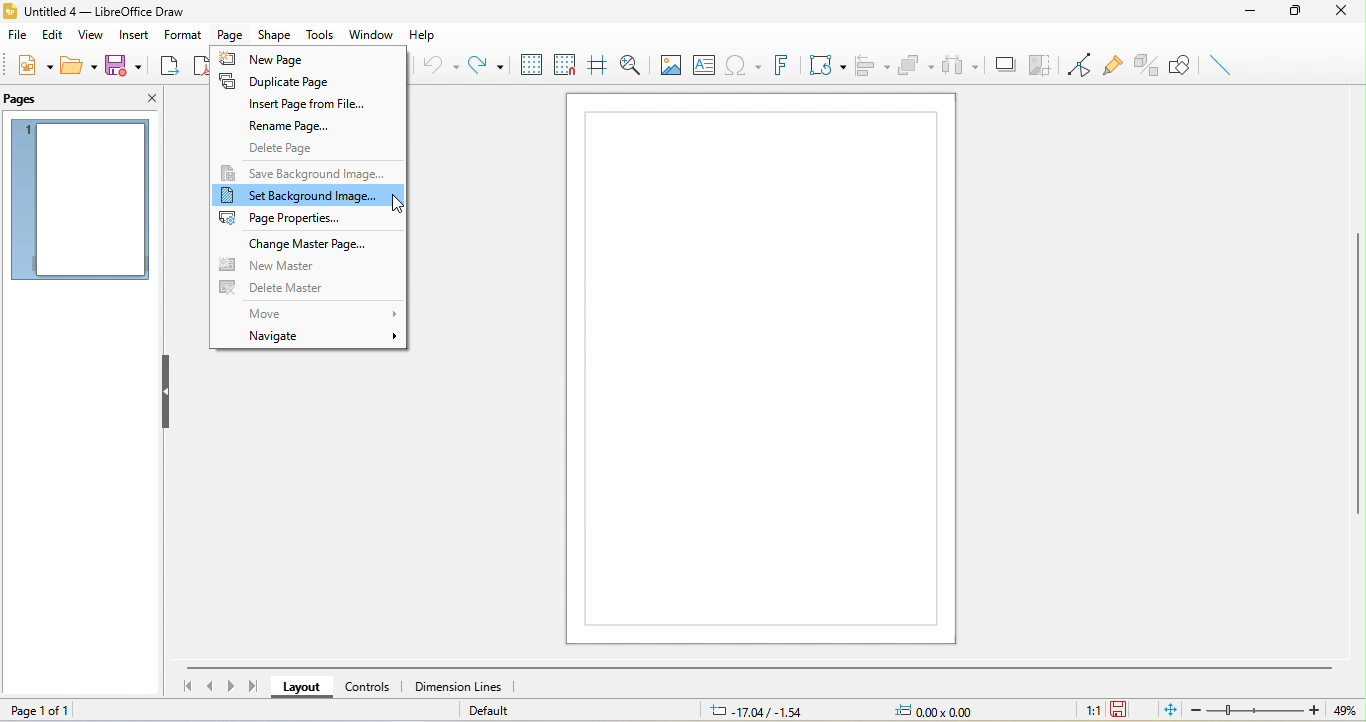 This screenshot has width=1366, height=722. I want to click on fit to the current page, so click(1164, 708).